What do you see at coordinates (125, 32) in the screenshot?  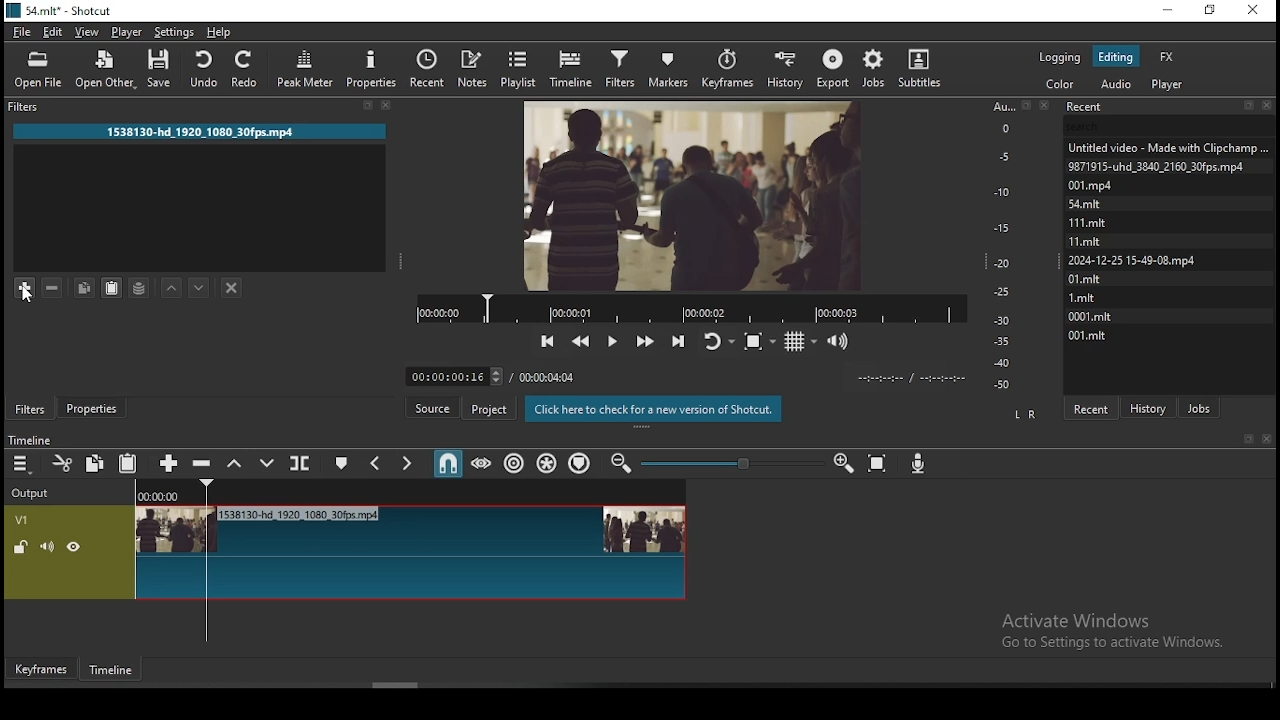 I see `player` at bounding box center [125, 32].